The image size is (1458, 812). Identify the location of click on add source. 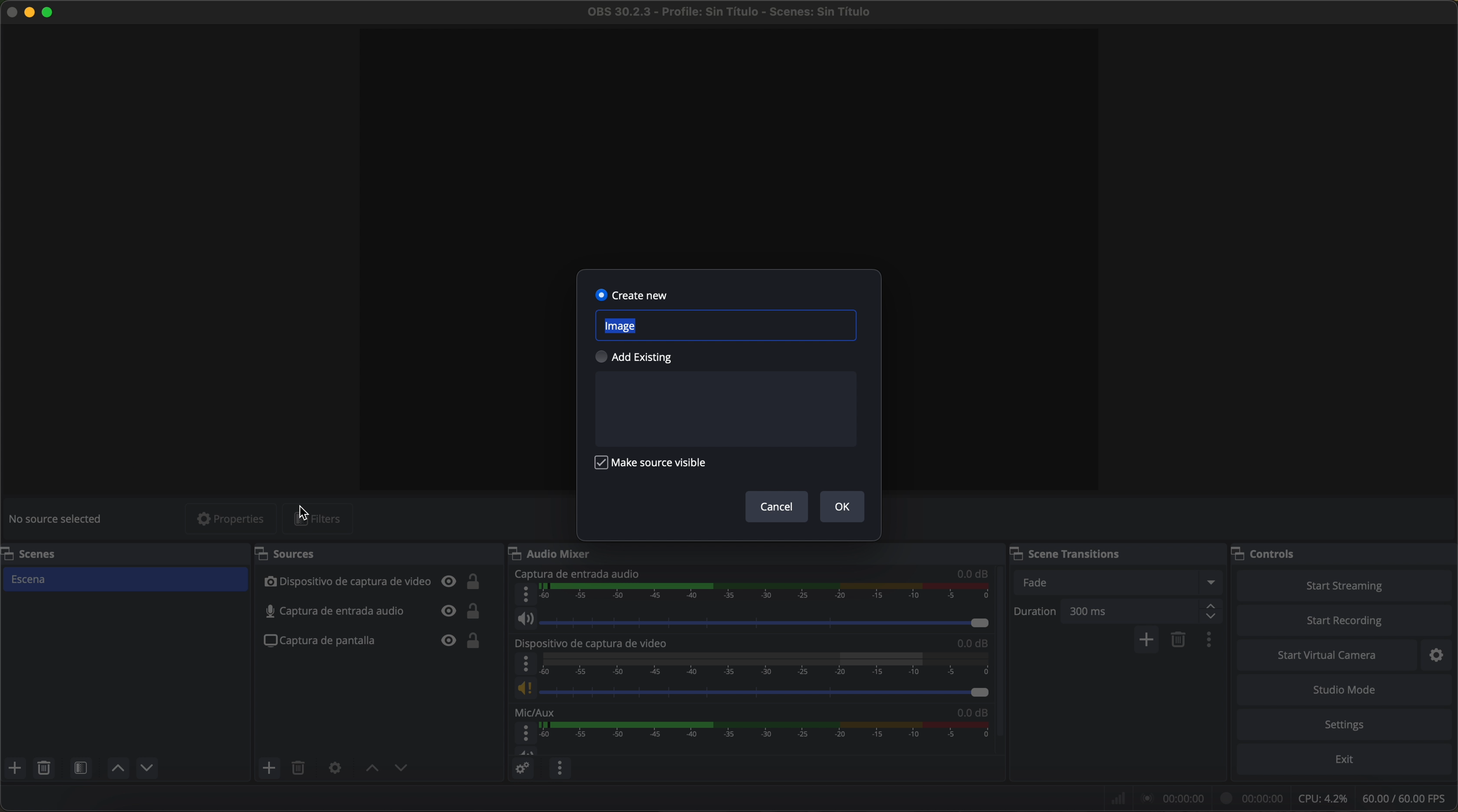
(272, 769).